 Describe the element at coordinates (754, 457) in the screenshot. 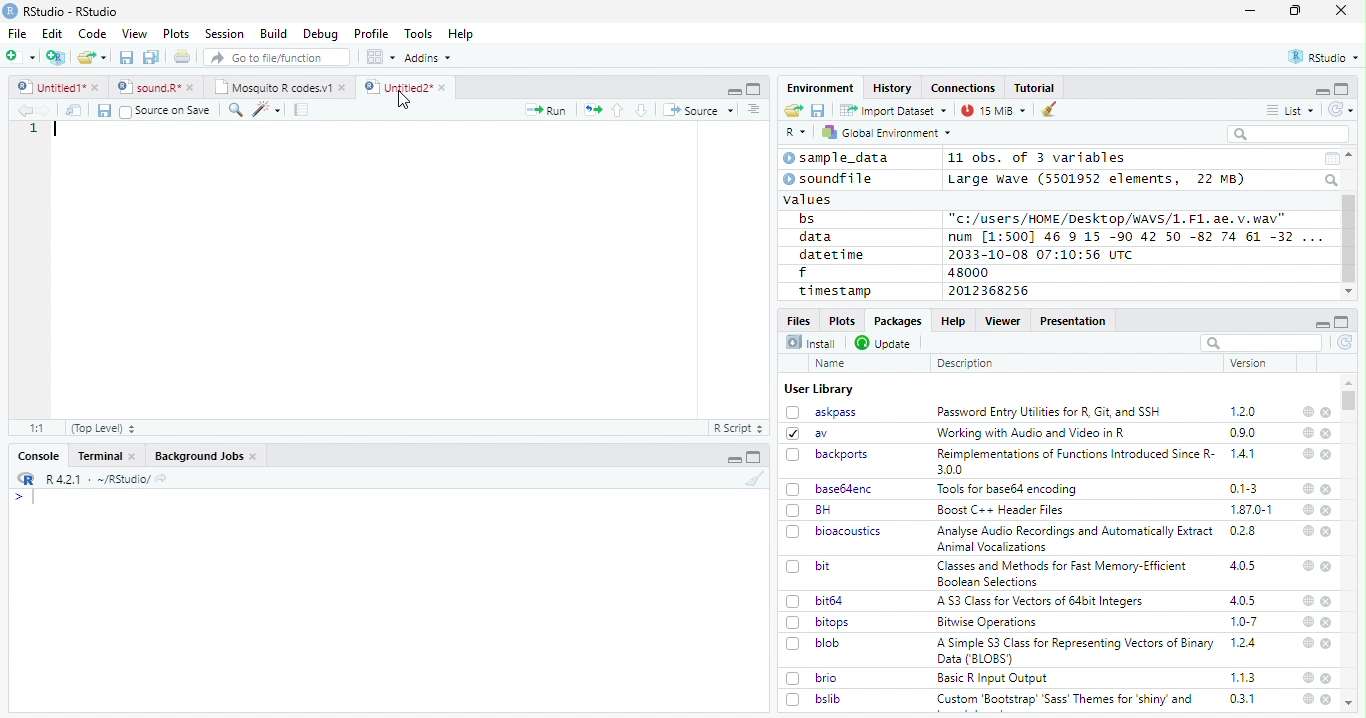

I see `Full screen` at that location.